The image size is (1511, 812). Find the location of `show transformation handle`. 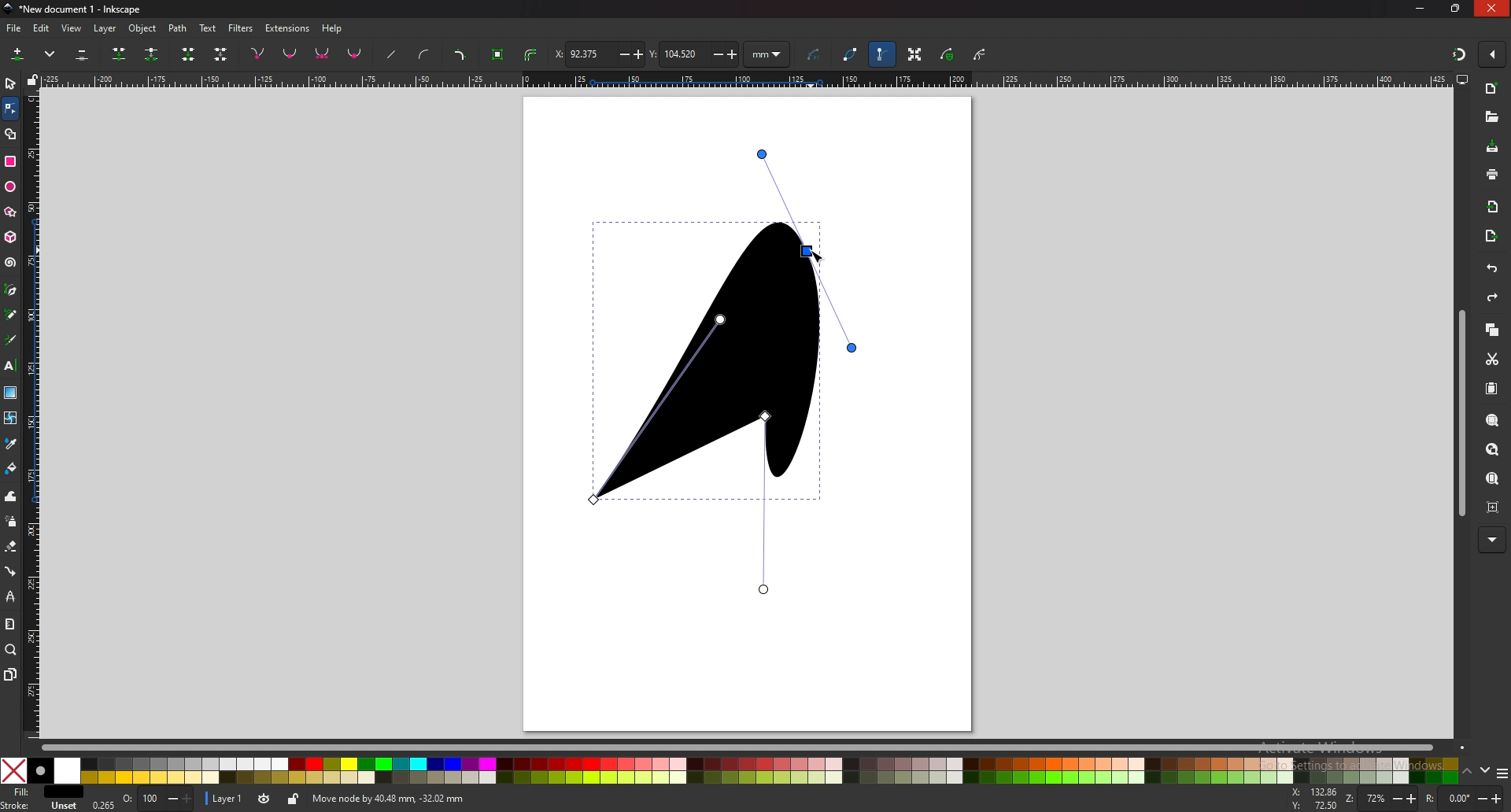

show transformation handle is located at coordinates (916, 55).